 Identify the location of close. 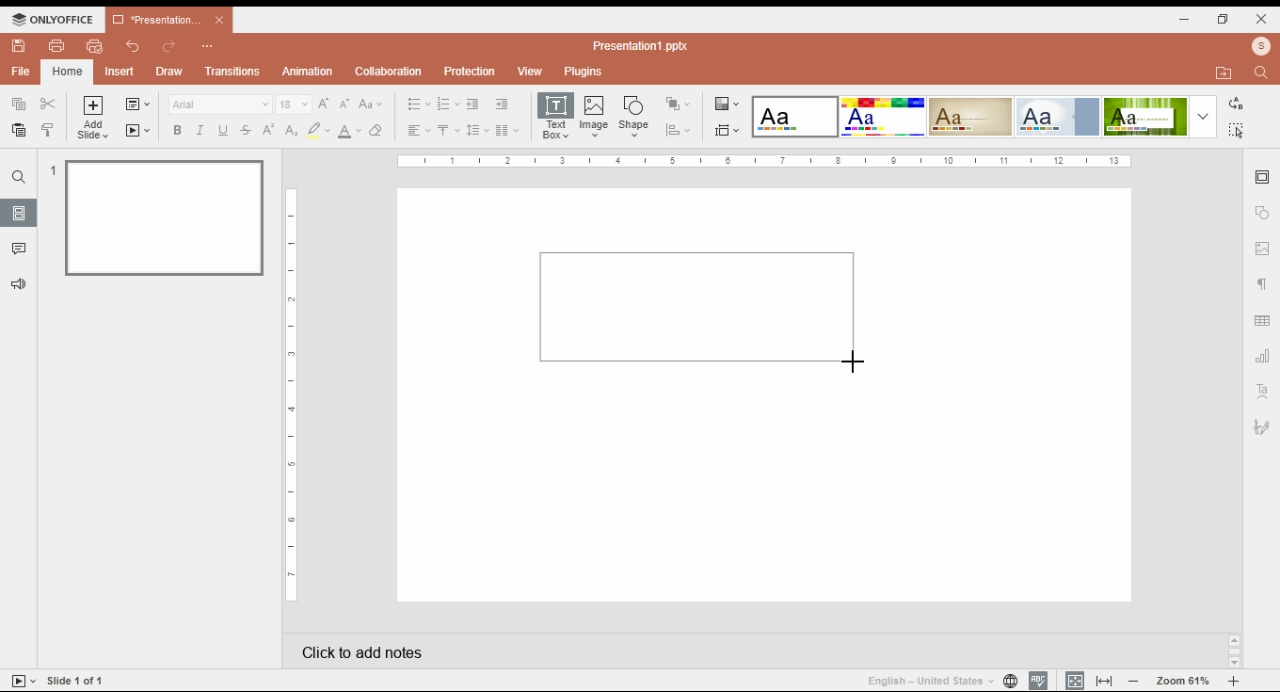
(220, 20).